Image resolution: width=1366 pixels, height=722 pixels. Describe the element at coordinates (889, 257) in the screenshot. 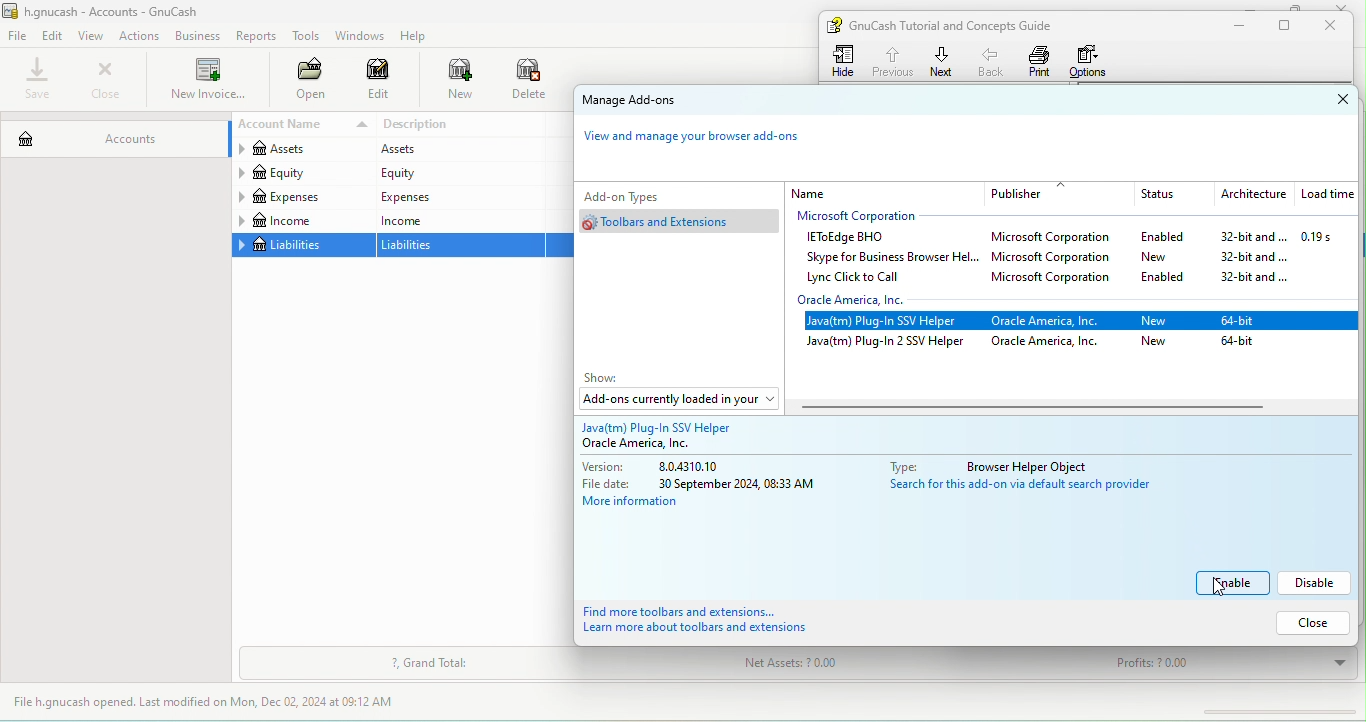

I see `skype for business browser hel` at that location.